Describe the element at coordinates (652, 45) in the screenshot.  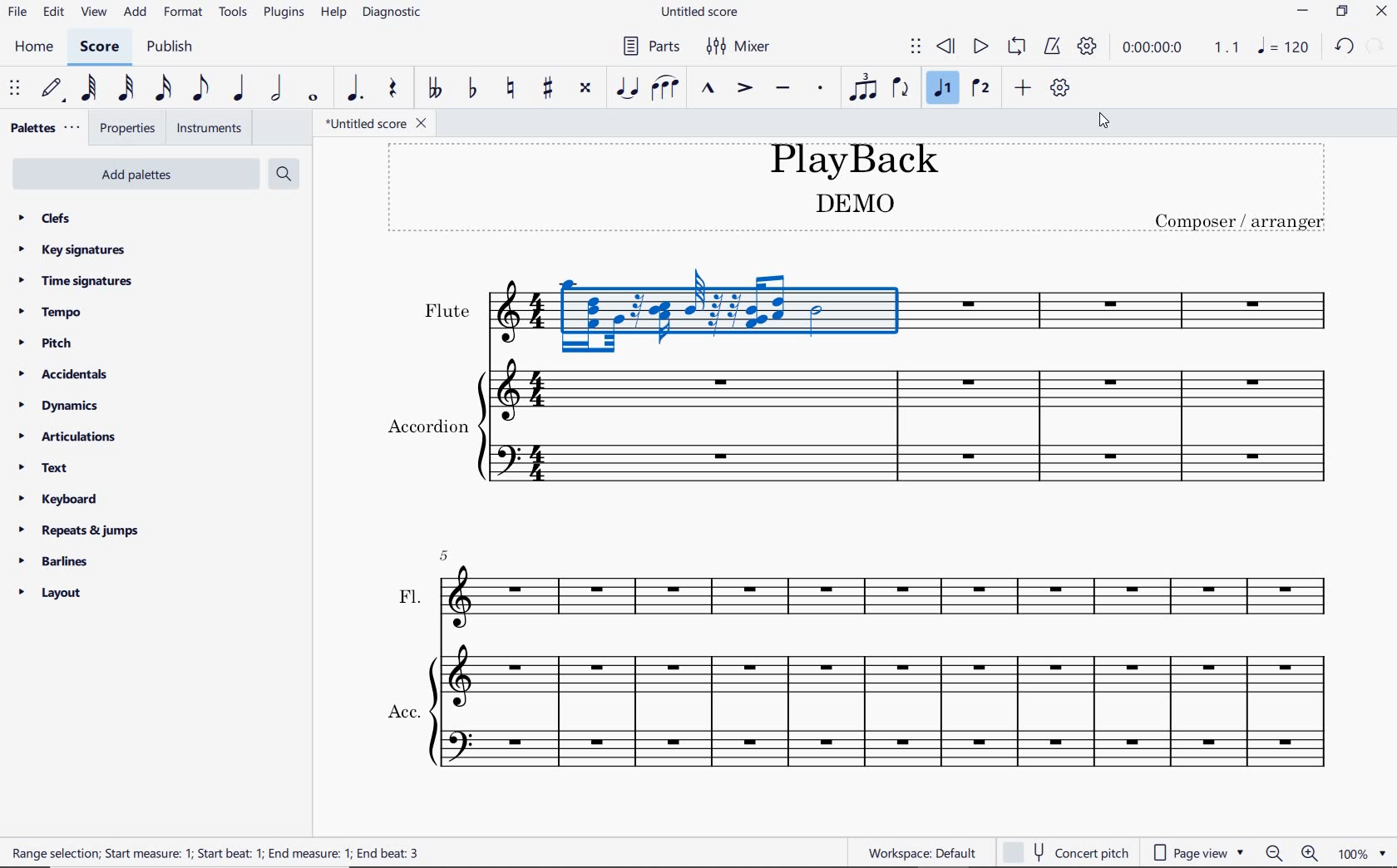
I see `parts` at that location.